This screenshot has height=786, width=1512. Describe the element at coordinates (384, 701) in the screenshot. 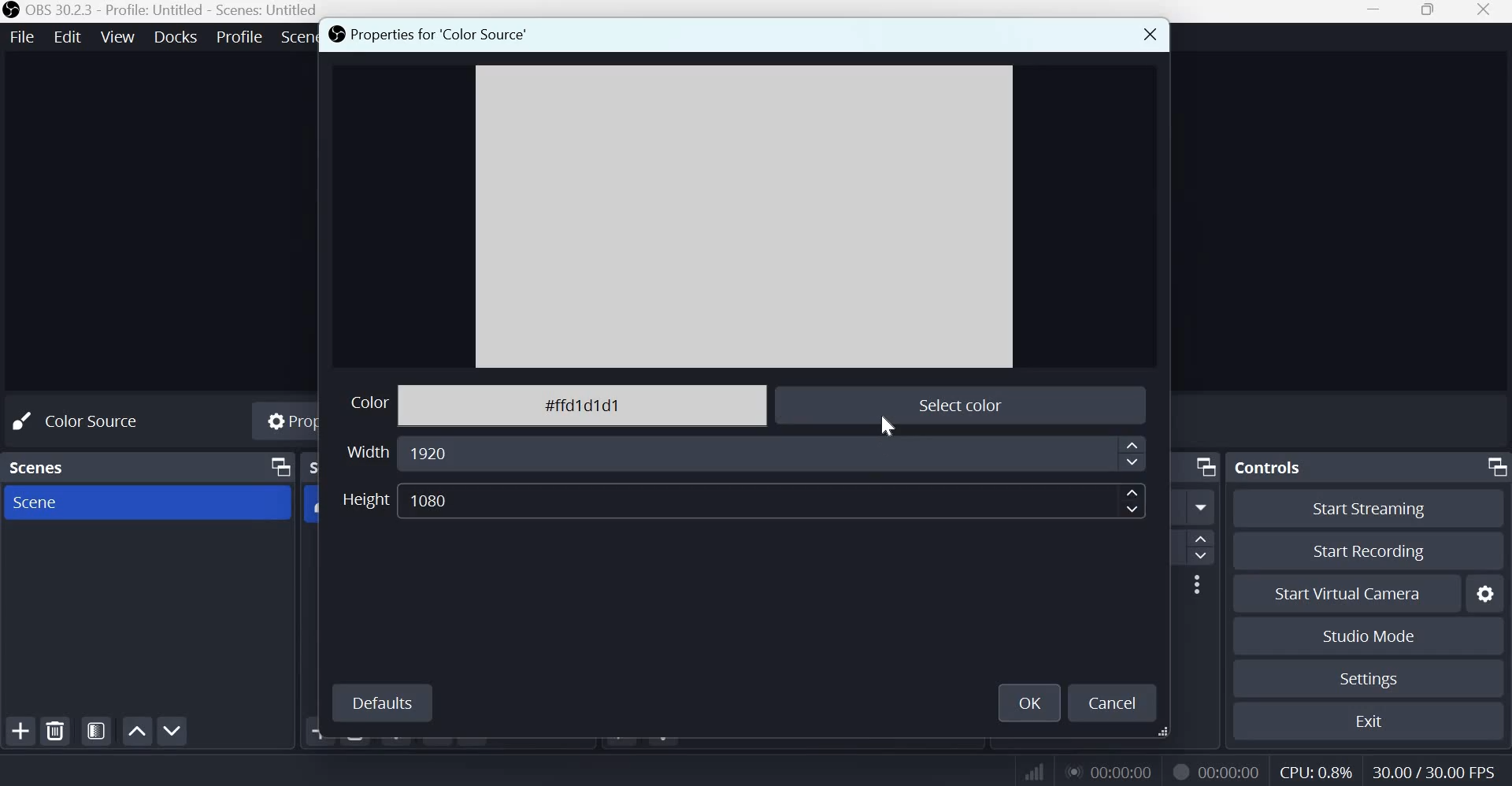

I see `Defaults` at that location.